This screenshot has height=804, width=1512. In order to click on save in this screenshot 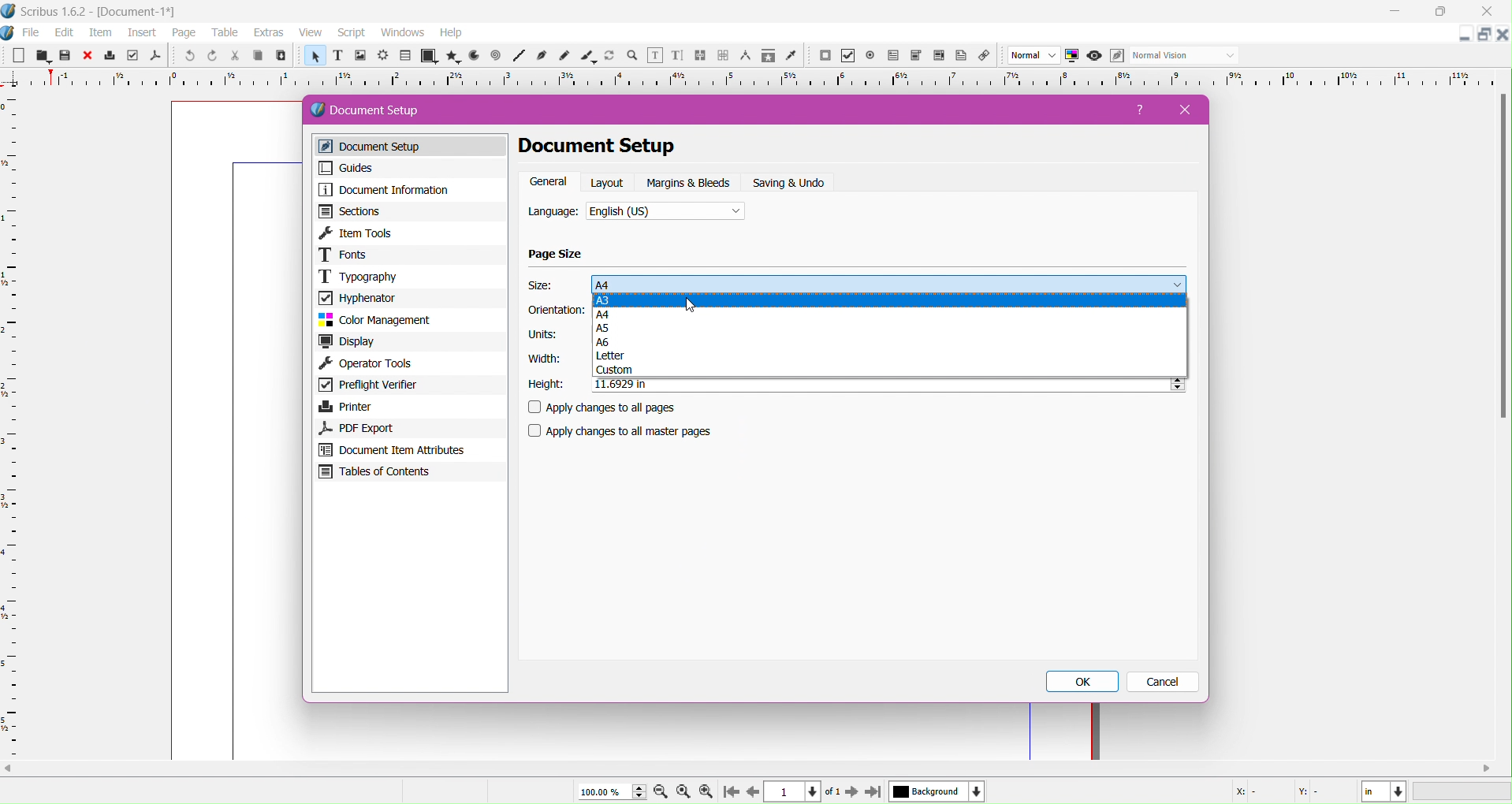, I will do `click(65, 57)`.